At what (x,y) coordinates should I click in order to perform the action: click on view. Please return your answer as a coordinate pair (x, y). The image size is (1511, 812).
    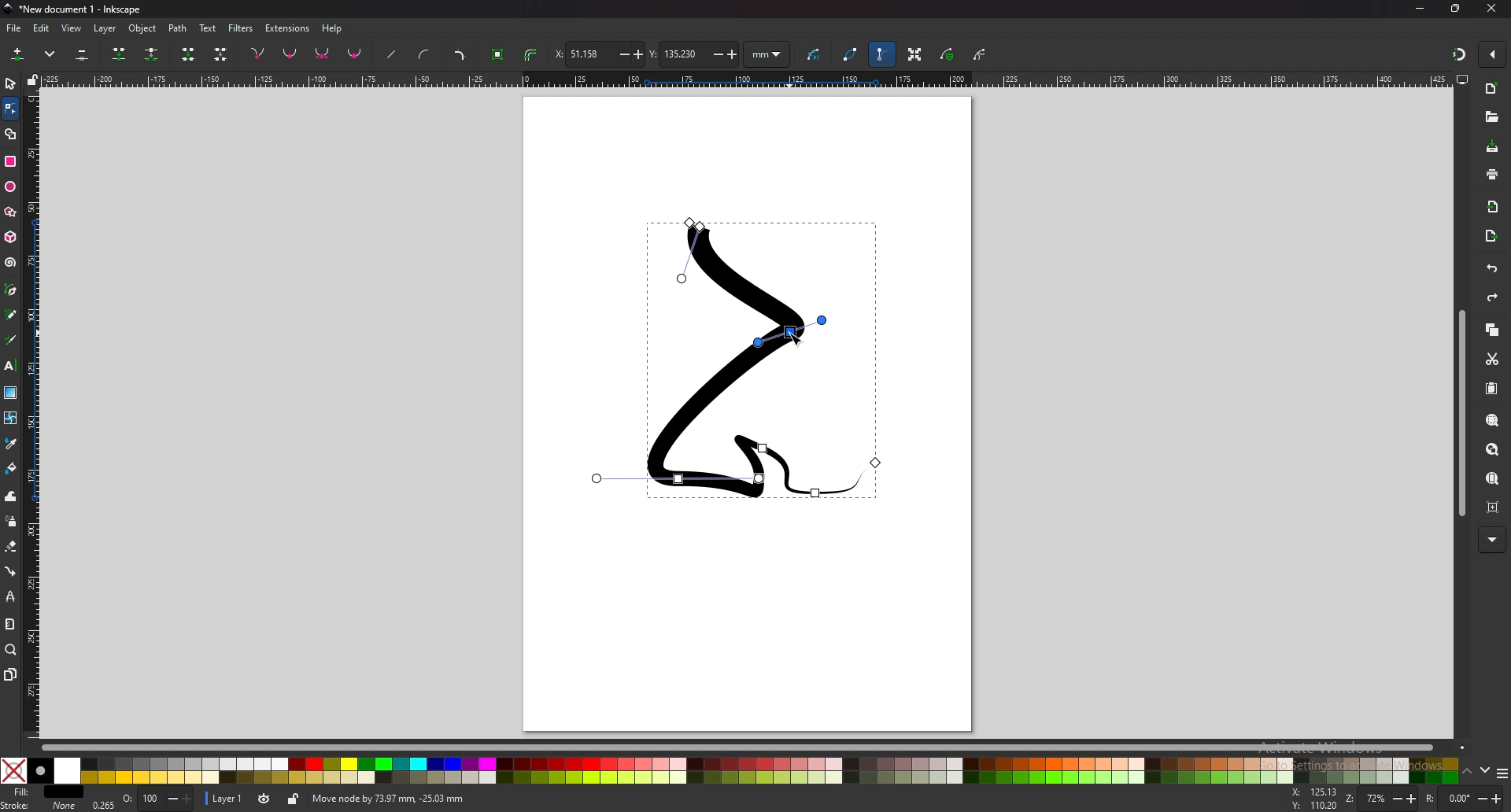
    Looking at the image, I should click on (74, 28).